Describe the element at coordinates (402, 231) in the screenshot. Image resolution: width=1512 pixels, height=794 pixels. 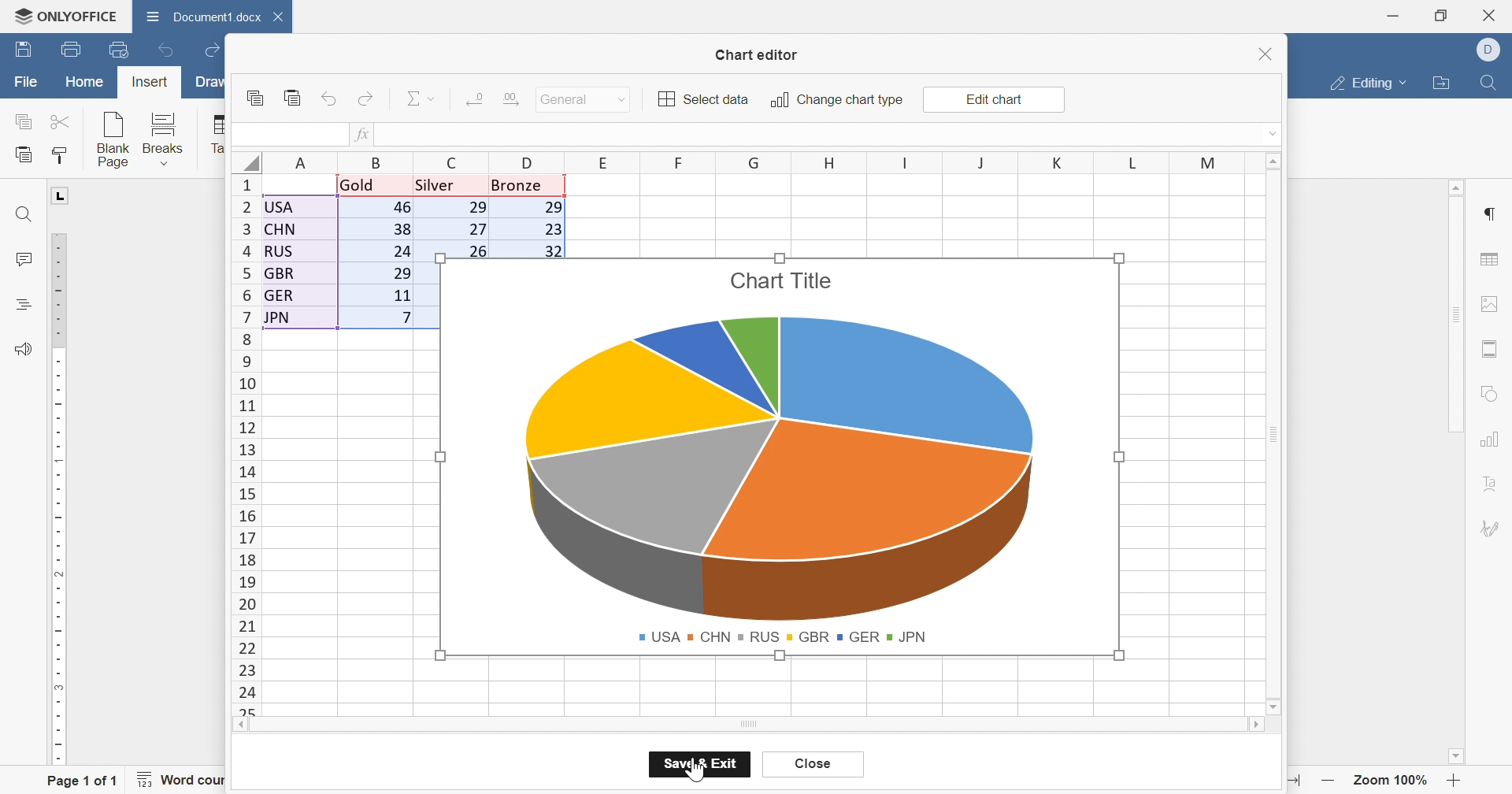
I see `38` at that location.